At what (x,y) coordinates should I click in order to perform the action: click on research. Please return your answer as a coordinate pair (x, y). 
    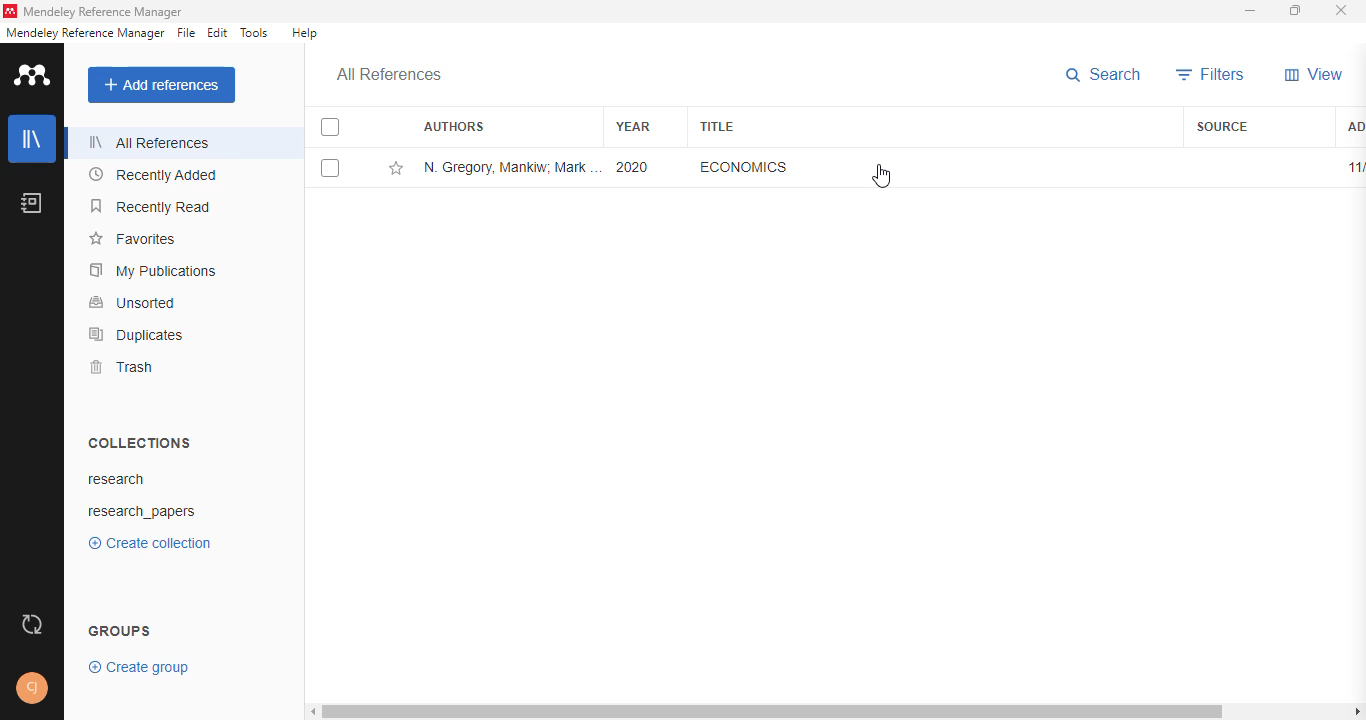
    Looking at the image, I should click on (115, 478).